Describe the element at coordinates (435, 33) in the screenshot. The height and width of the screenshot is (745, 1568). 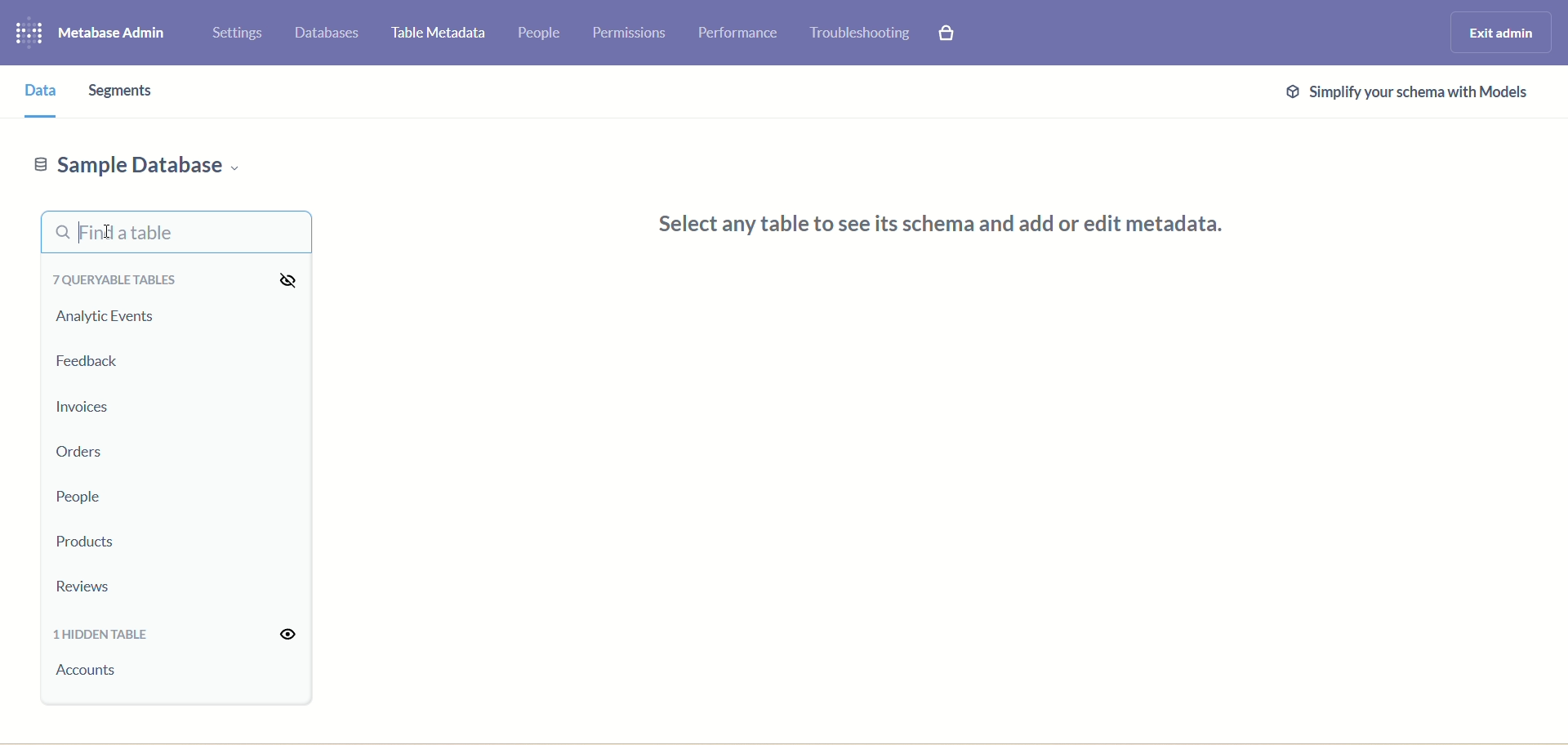
I see `table metadata` at that location.